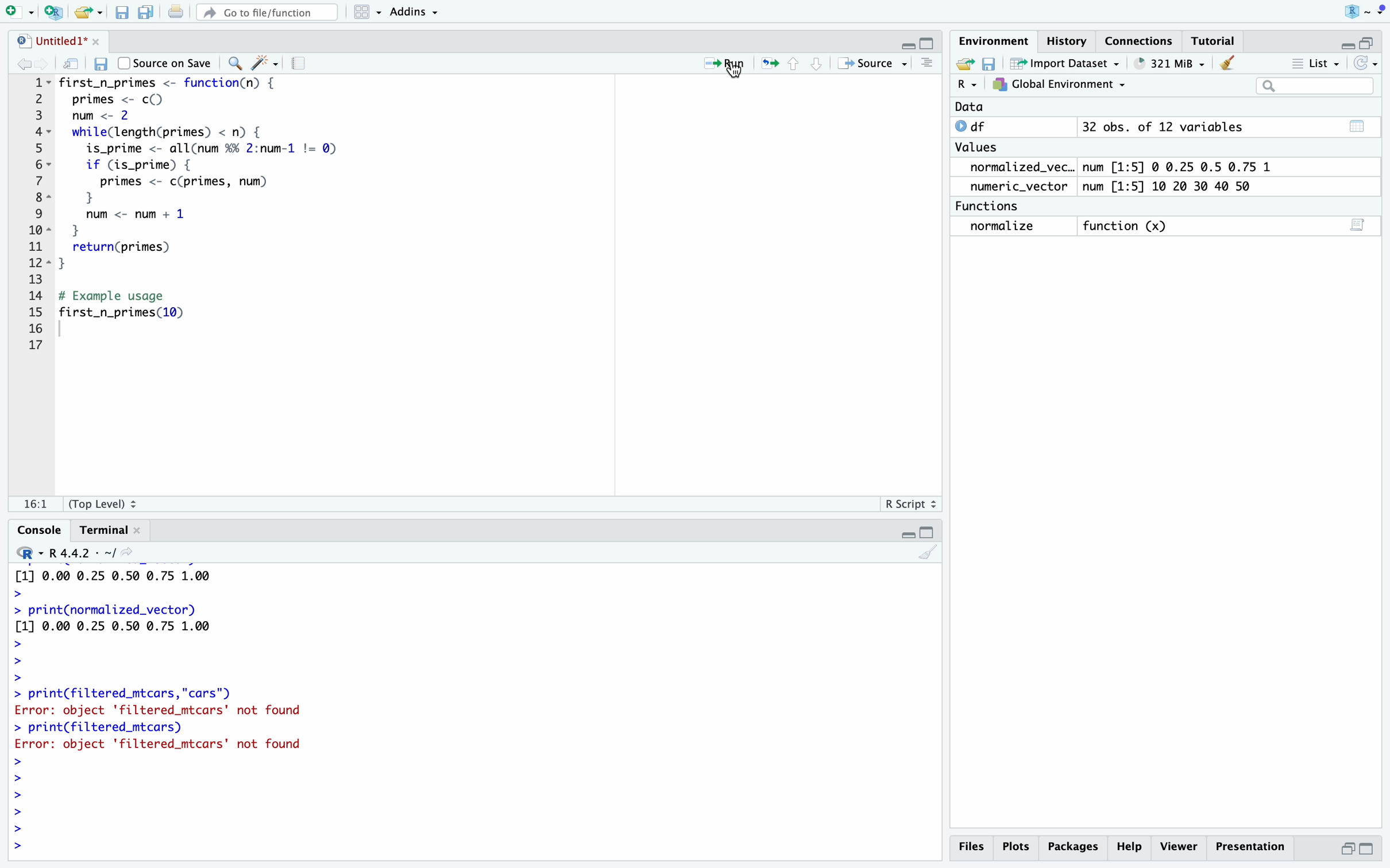  Describe the element at coordinates (215, 237) in the screenshot. I see `1~- first_n_primes <- function(n) {
2 primes <- c()

3 num <- 2

4~ while(length(primes) < n) {
5 is_prime <- allCnum %% 2:num-1 != Q)
6~ if (is_prime) {

7 primes <- c(primes, num)
BE }

©) num <- num + 1

iol 1

11 return(primes)

28s] }

13

14 # Example usage

15 first_n_primes(10)

16

17` at that location.